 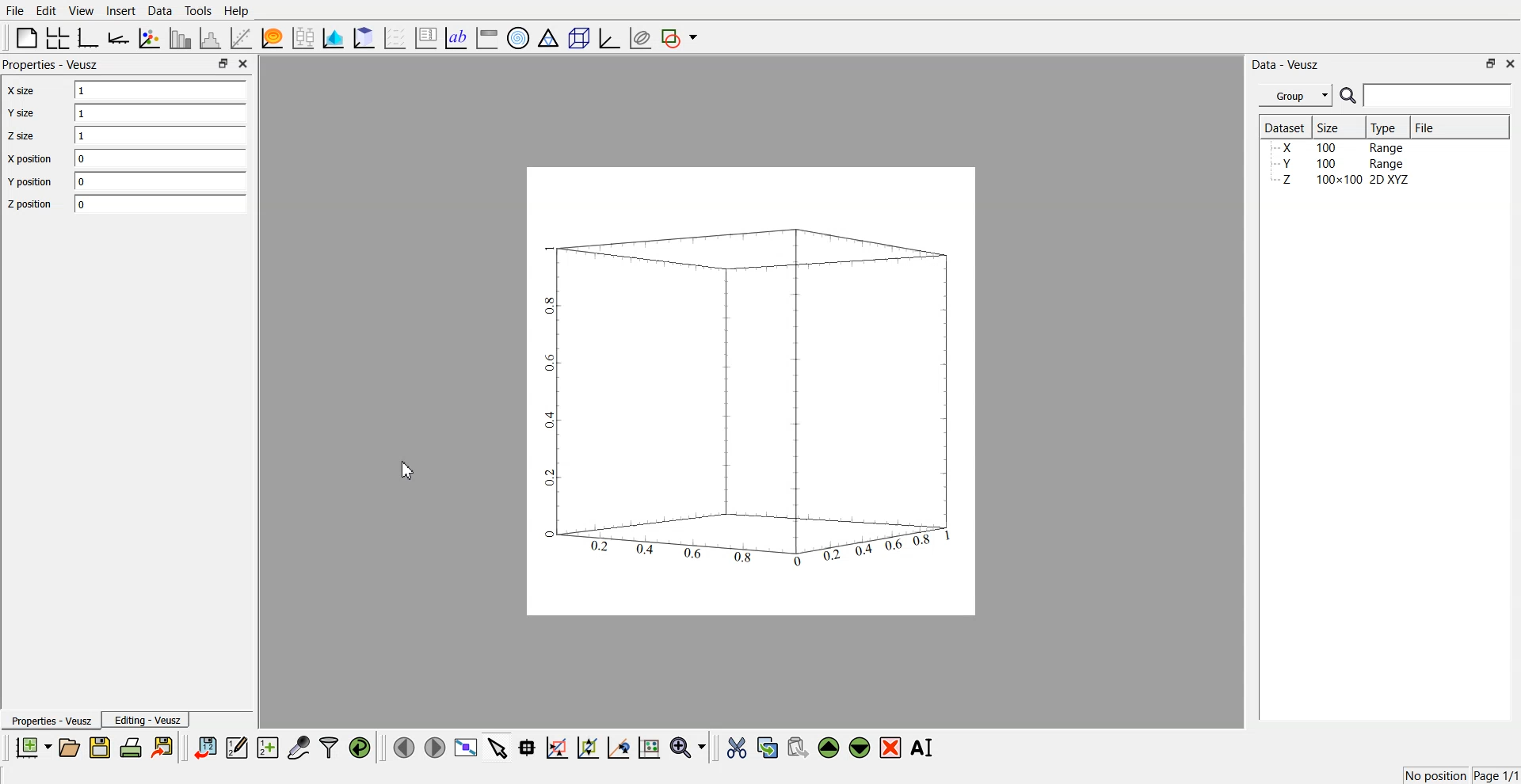 What do you see at coordinates (1461, 775) in the screenshot?
I see `No position Page 1/1` at bounding box center [1461, 775].